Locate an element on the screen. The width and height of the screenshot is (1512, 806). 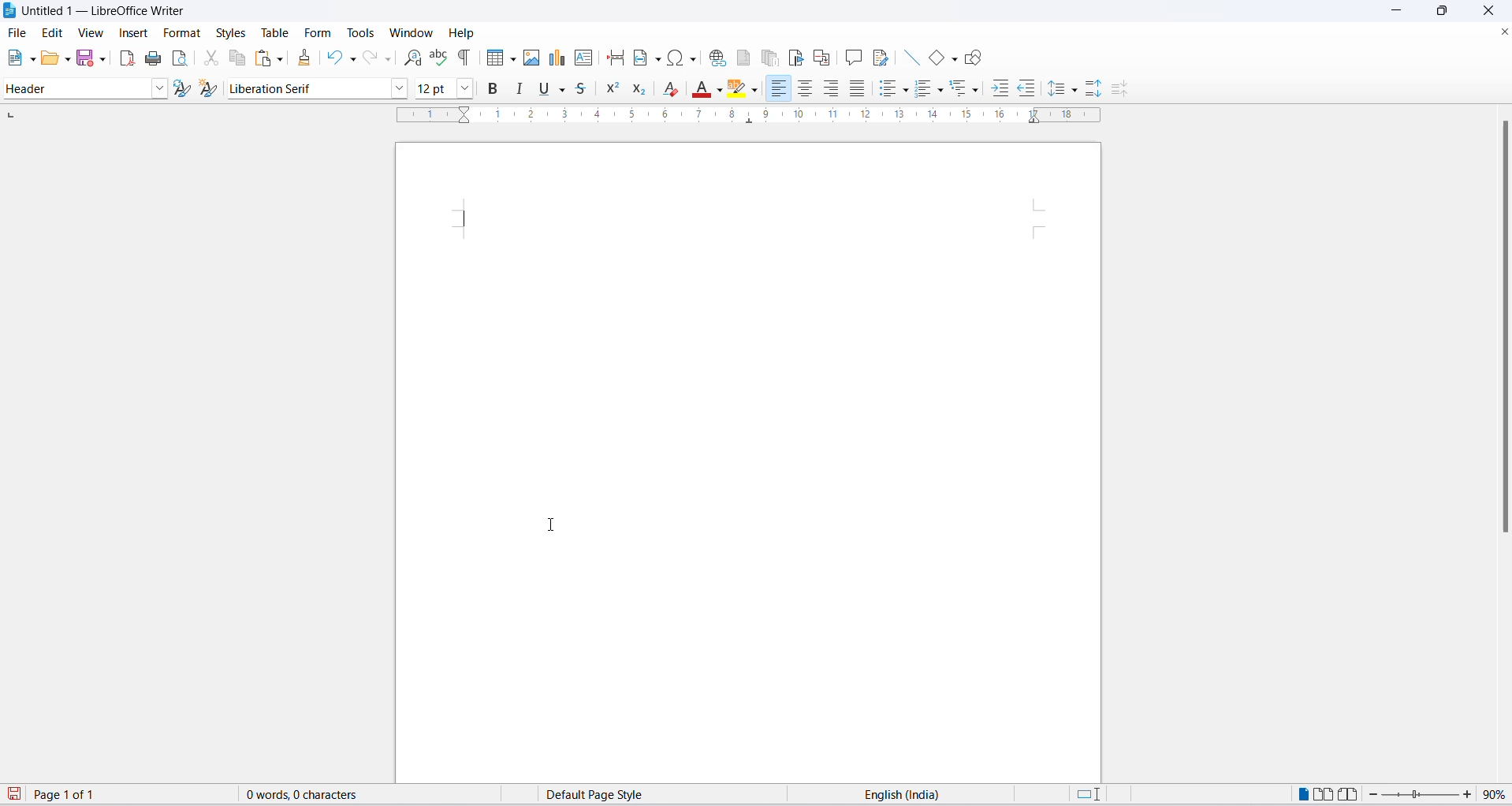
subscript is located at coordinates (646, 91).